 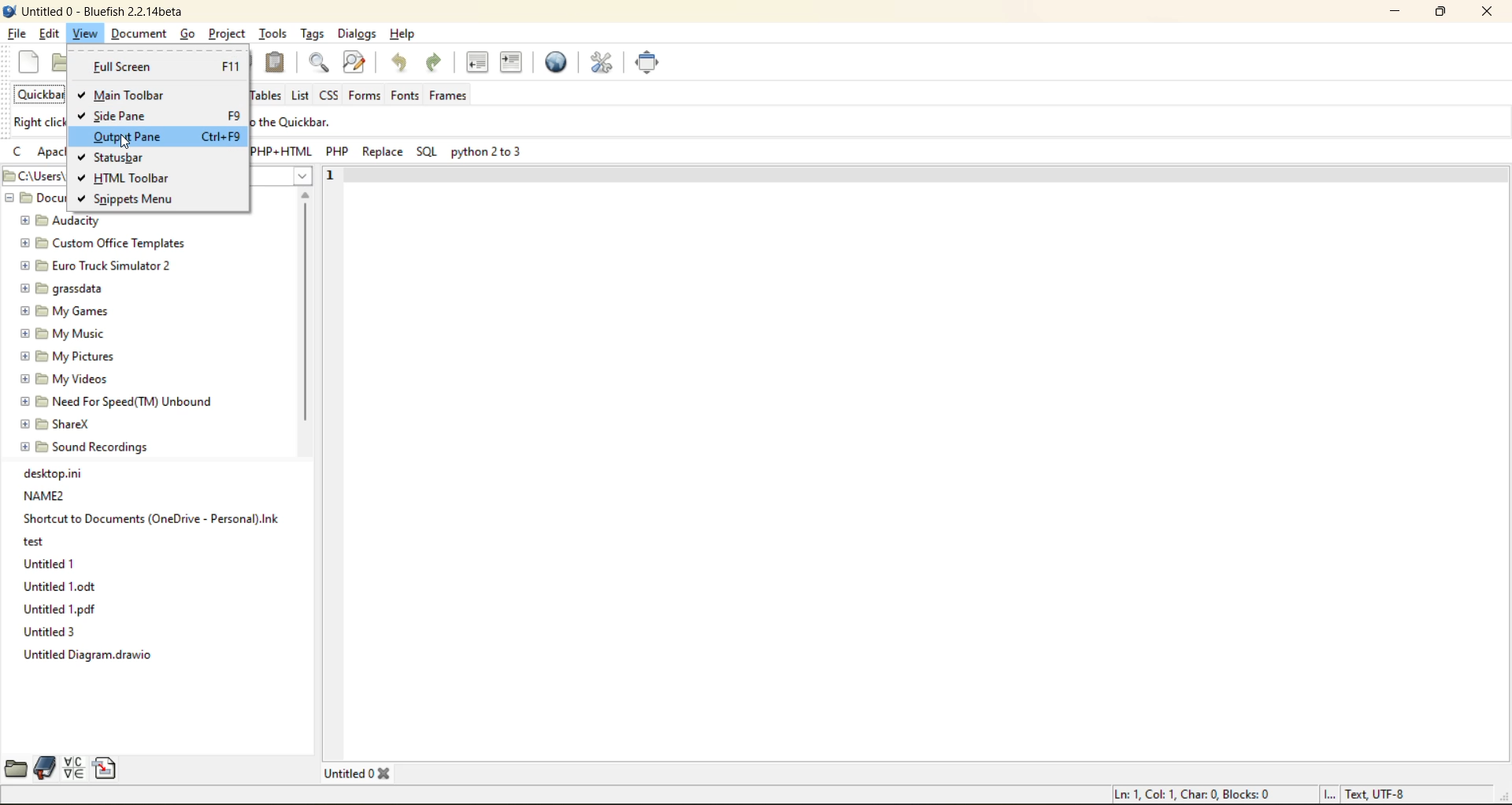 What do you see at coordinates (383, 152) in the screenshot?
I see `replace` at bounding box center [383, 152].